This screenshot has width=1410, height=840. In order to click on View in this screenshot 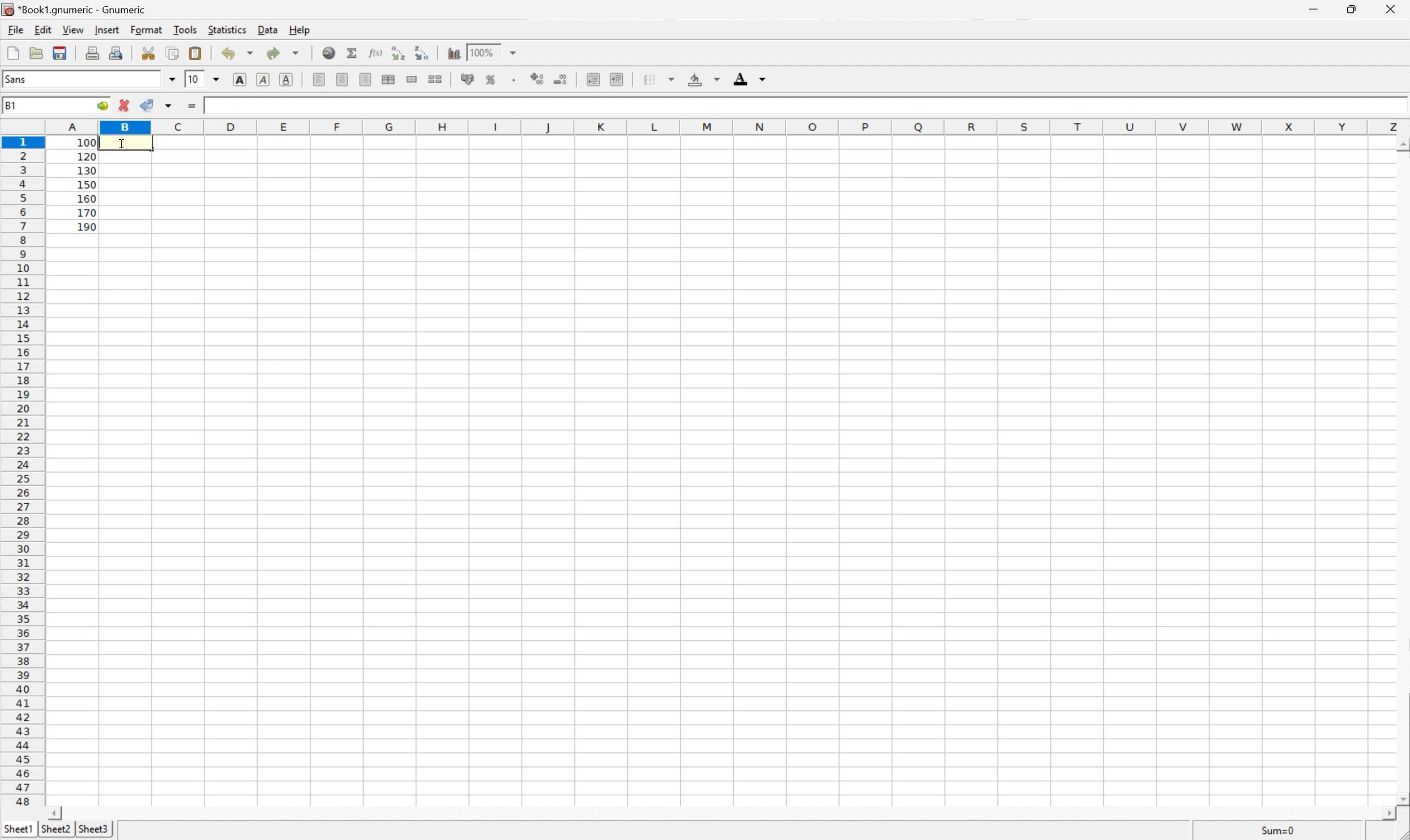, I will do `click(73, 29)`.